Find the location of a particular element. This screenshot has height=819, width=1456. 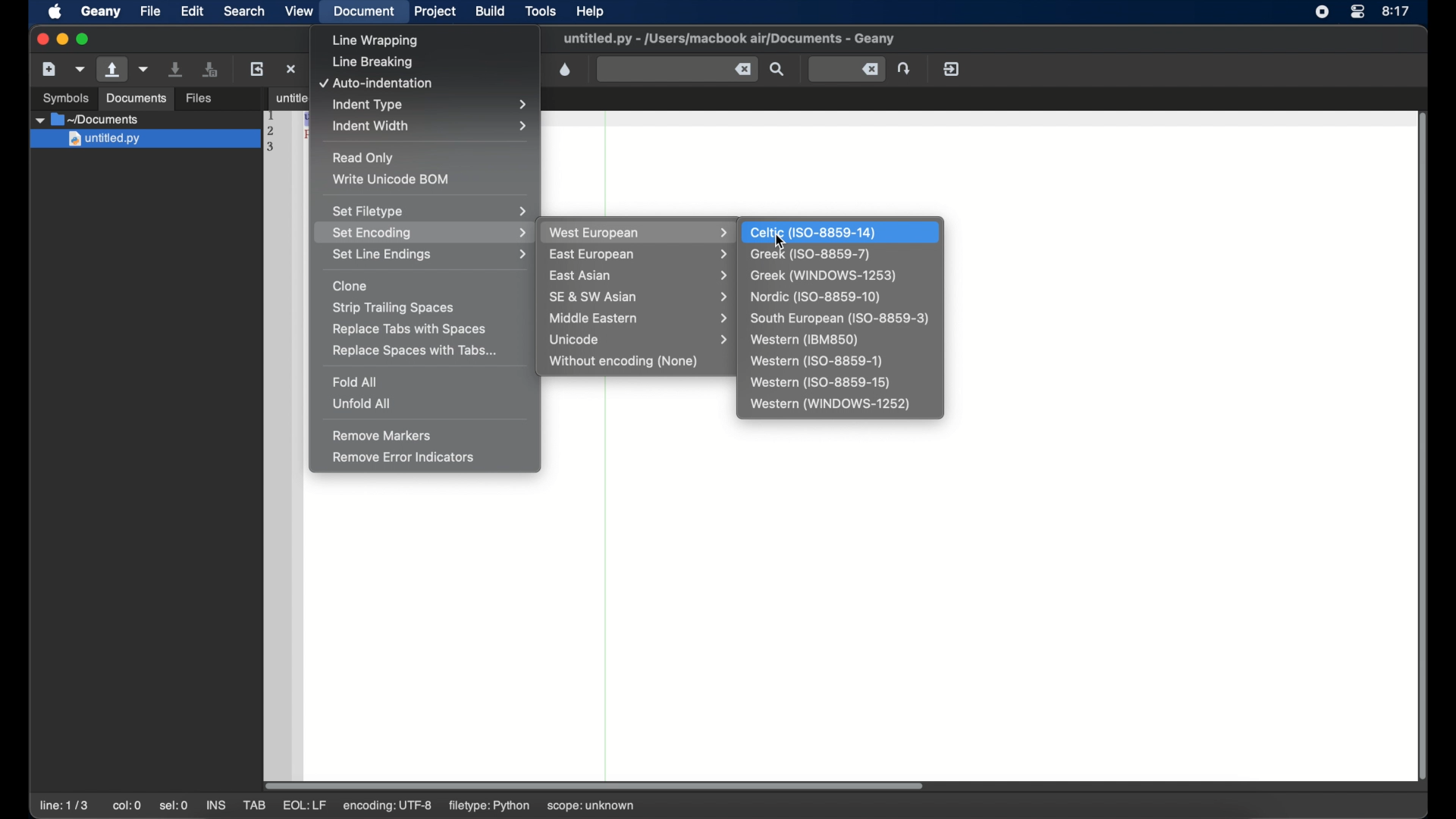

tools is located at coordinates (541, 10).